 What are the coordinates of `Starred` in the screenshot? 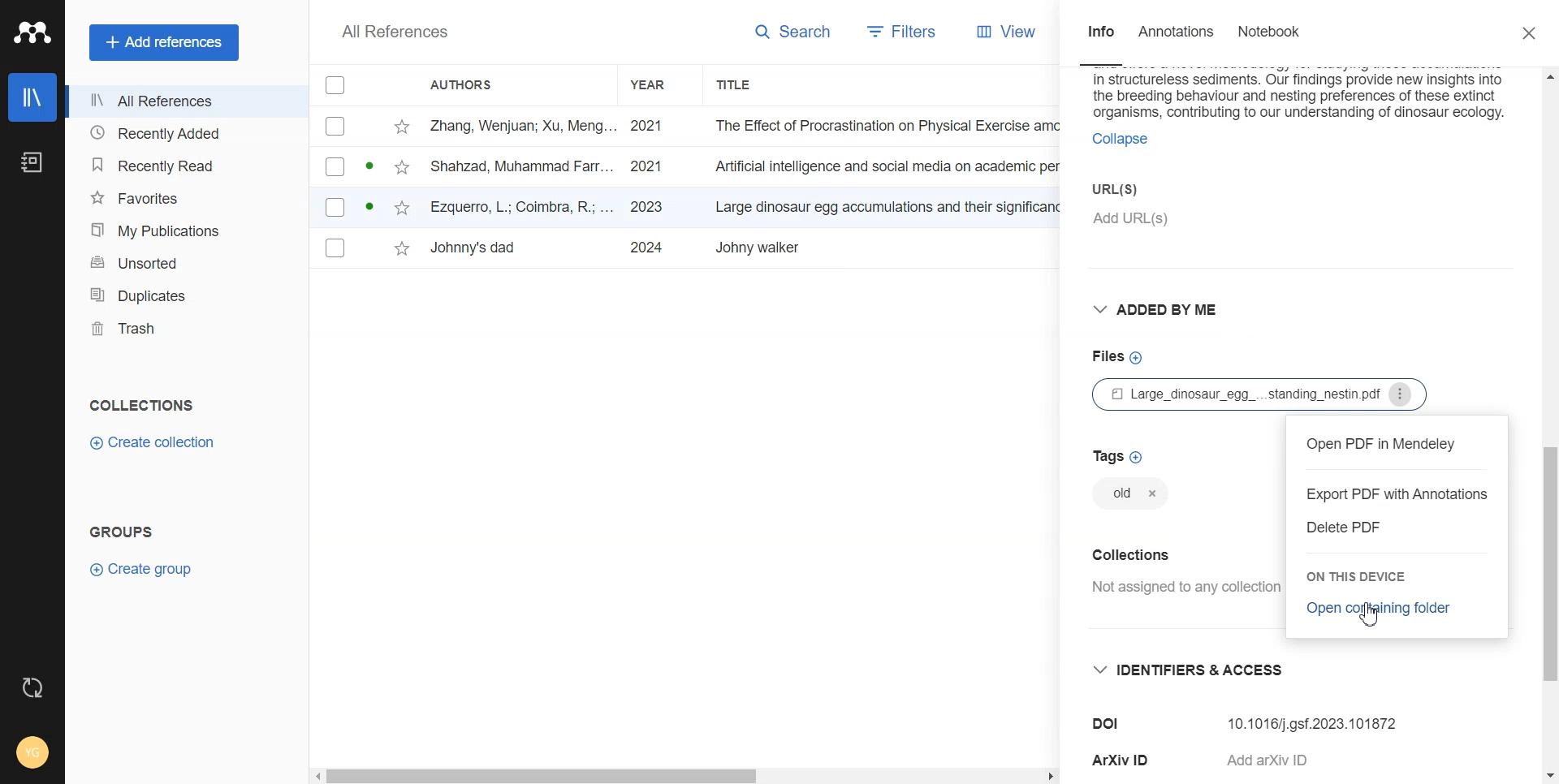 It's located at (403, 126).